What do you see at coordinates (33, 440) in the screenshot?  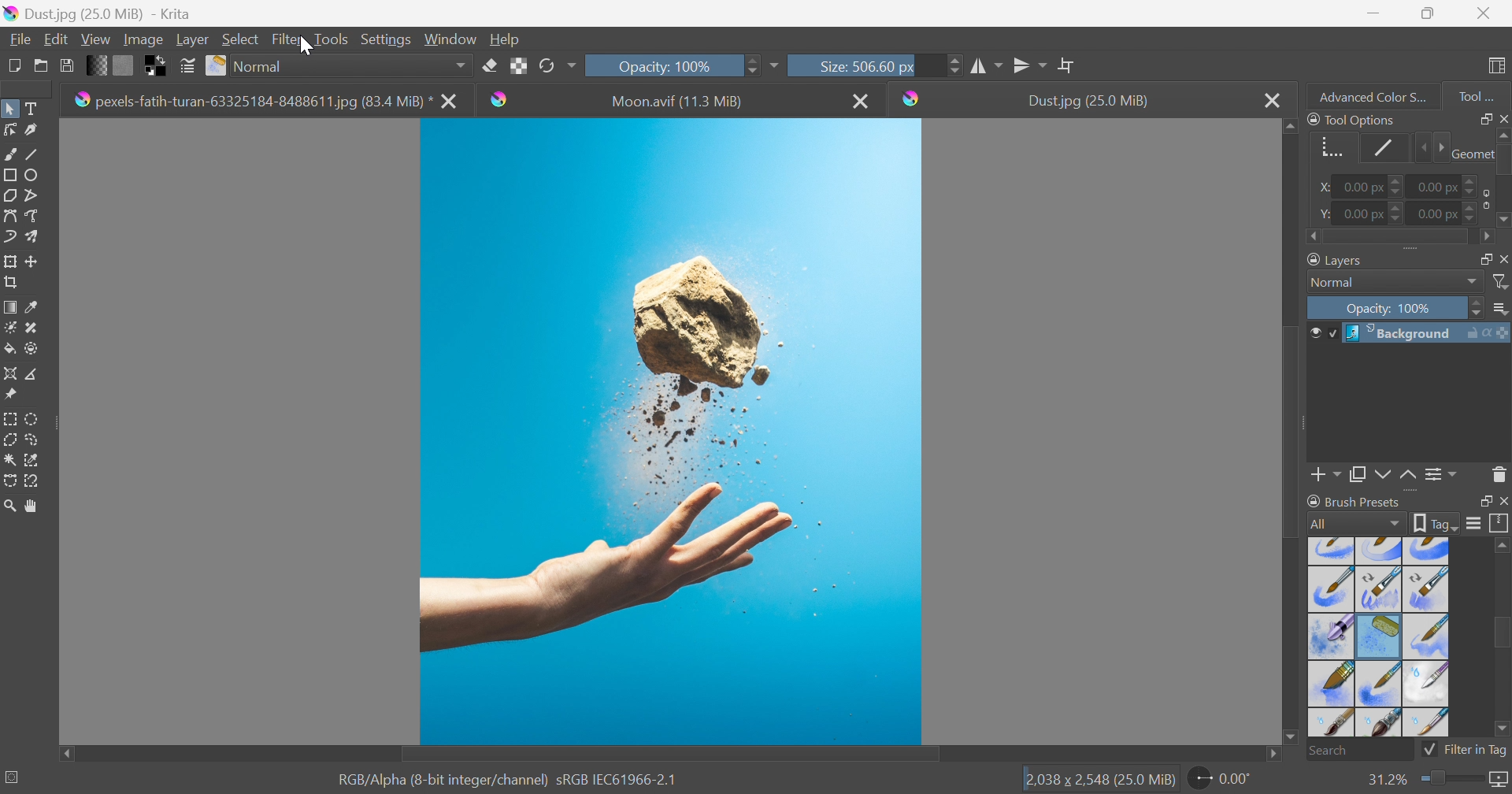 I see `Freehand selection tool` at bounding box center [33, 440].